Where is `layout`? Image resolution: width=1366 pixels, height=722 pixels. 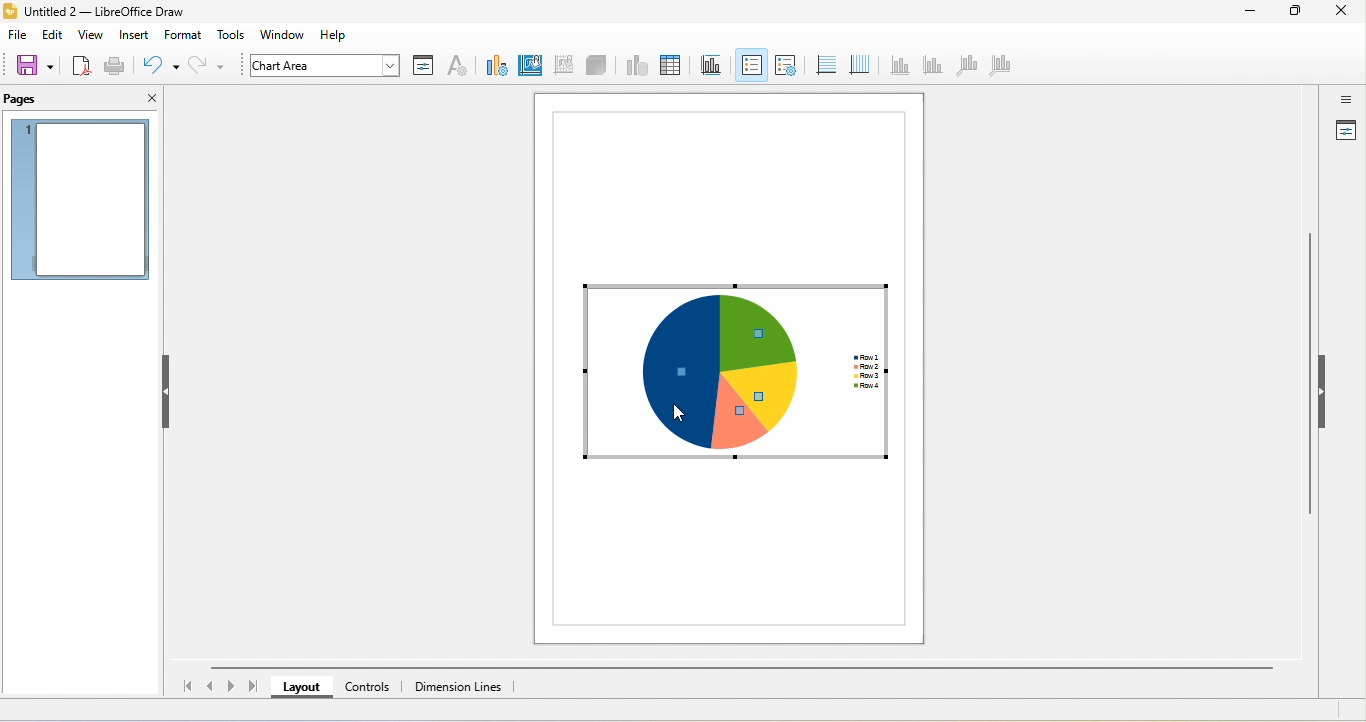 layout is located at coordinates (301, 686).